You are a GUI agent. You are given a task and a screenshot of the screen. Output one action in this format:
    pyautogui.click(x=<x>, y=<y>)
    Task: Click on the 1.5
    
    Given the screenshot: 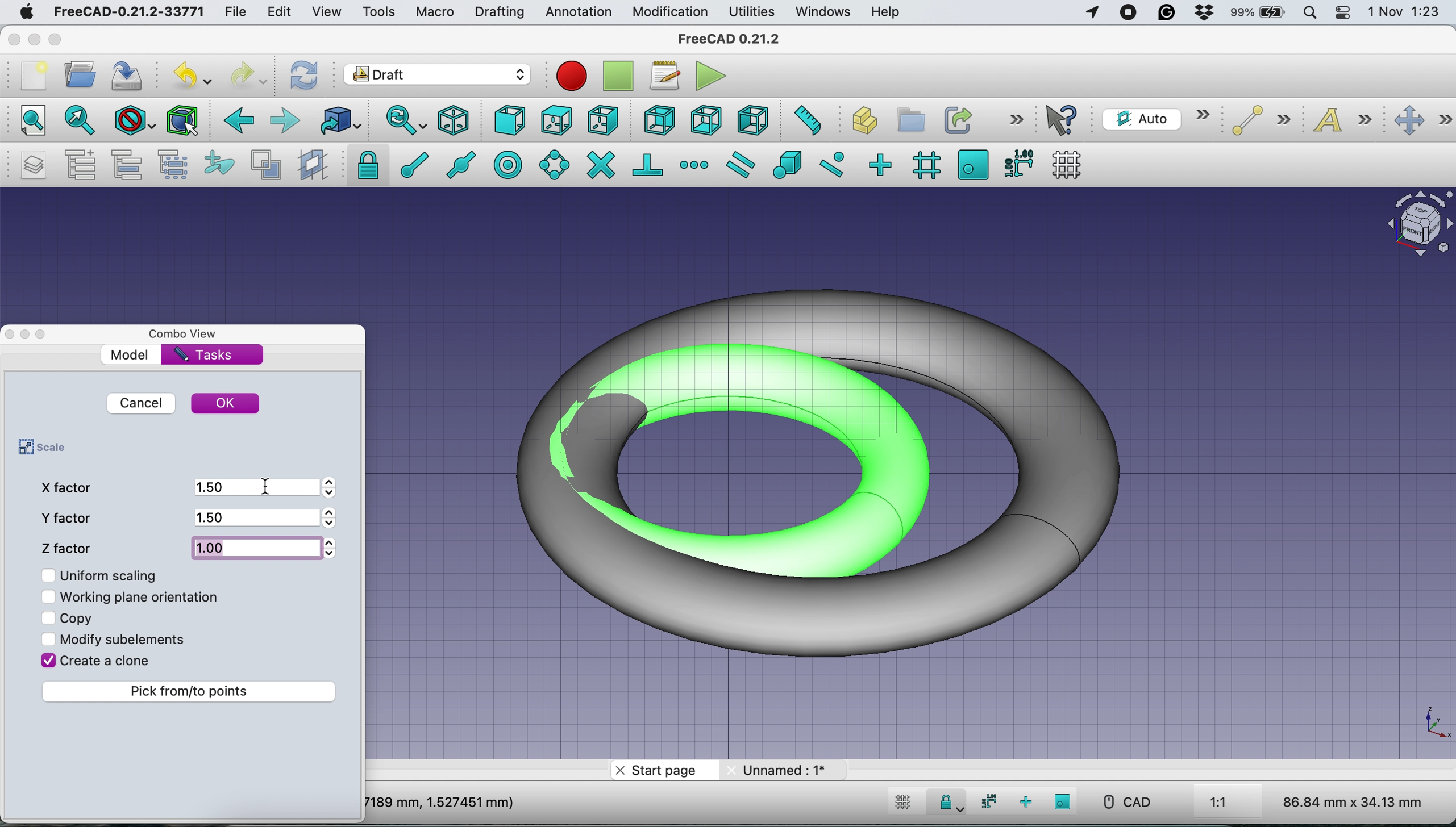 What is the action you would take?
    pyautogui.click(x=253, y=517)
    